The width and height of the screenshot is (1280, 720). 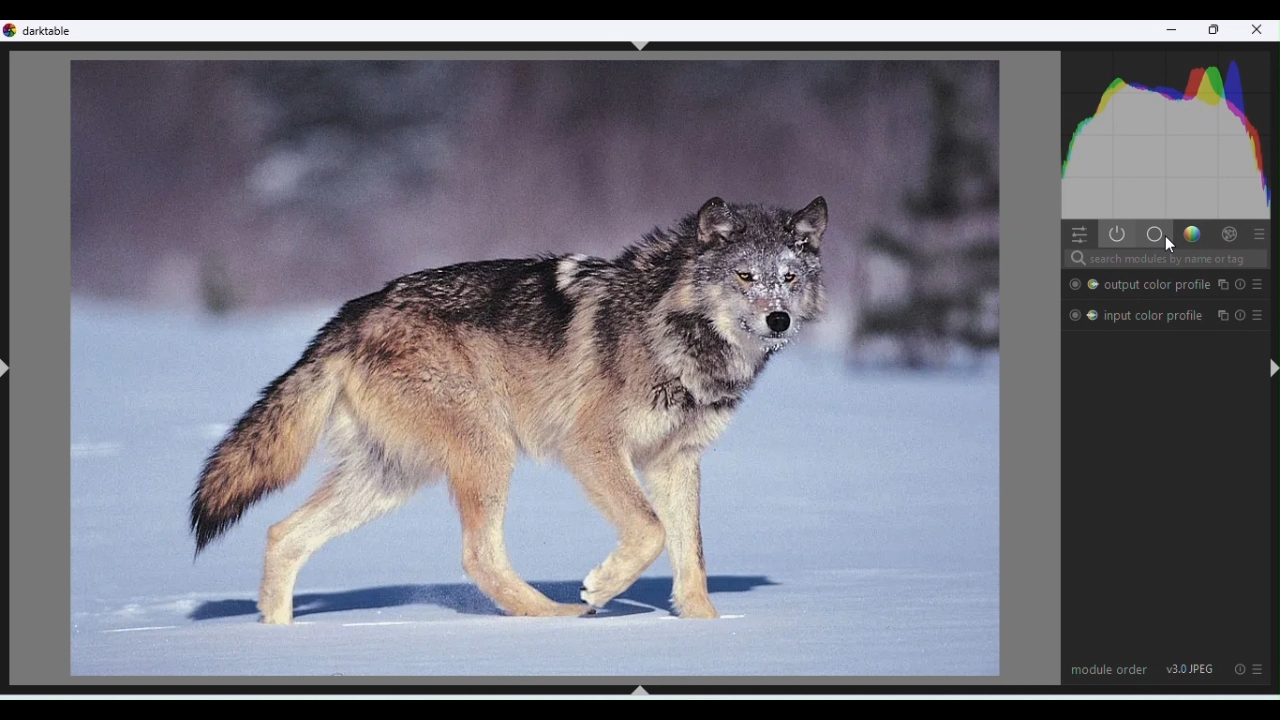 What do you see at coordinates (1169, 131) in the screenshot?
I see `Histogram` at bounding box center [1169, 131].